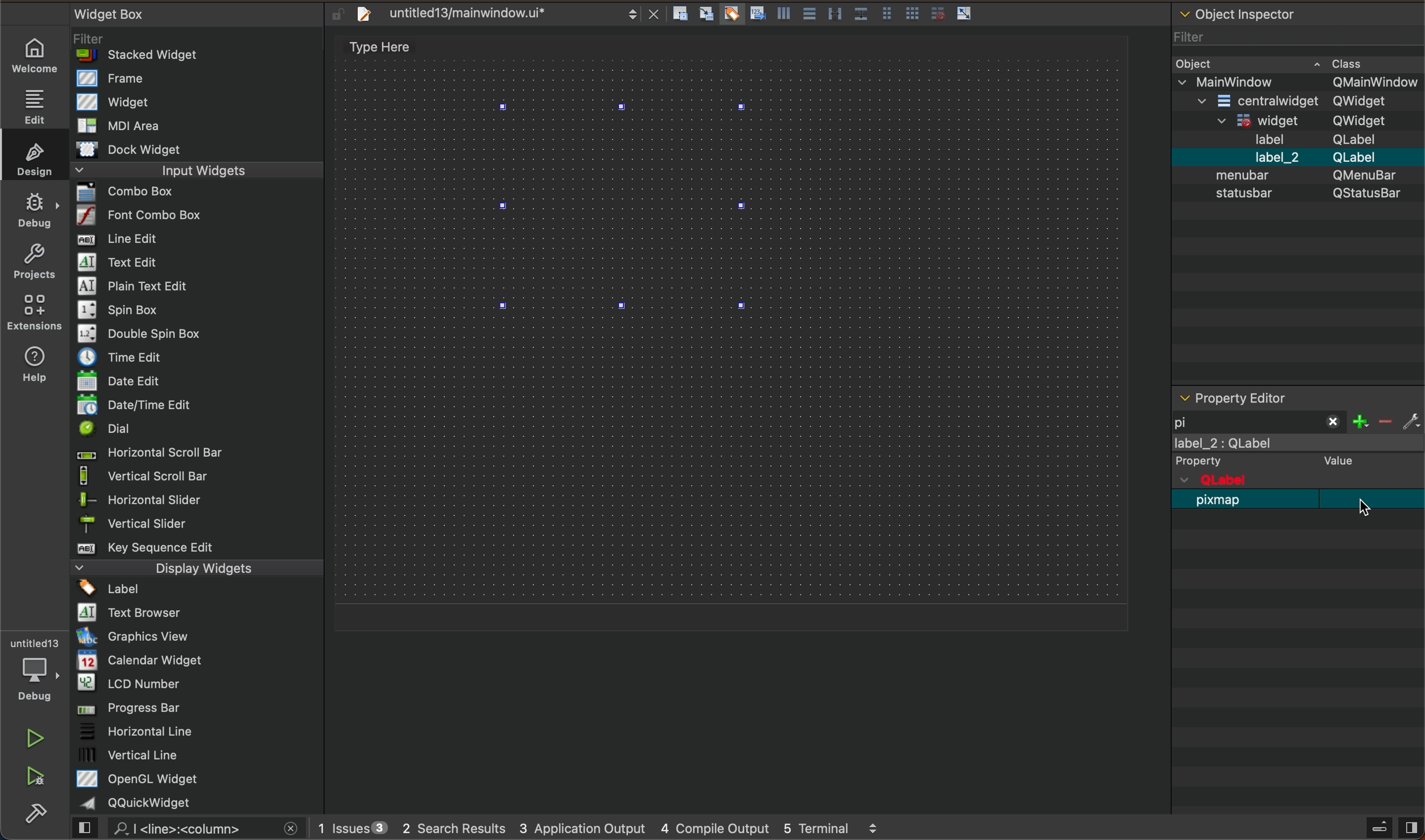 This screenshot has width=1425, height=840. What do you see at coordinates (1276, 397) in the screenshot?
I see `property editor` at bounding box center [1276, 397].